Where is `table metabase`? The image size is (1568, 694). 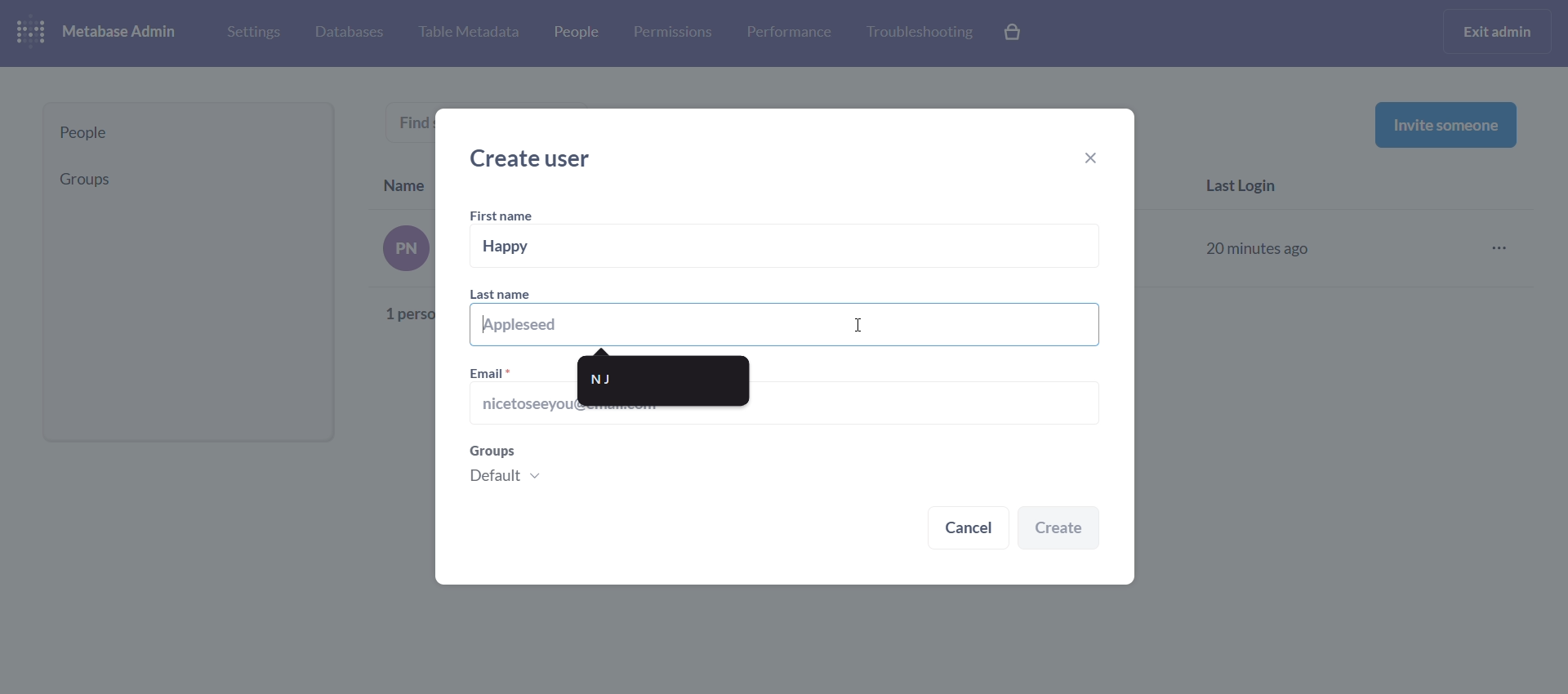 table metabase is located at coordinates (468, 33).